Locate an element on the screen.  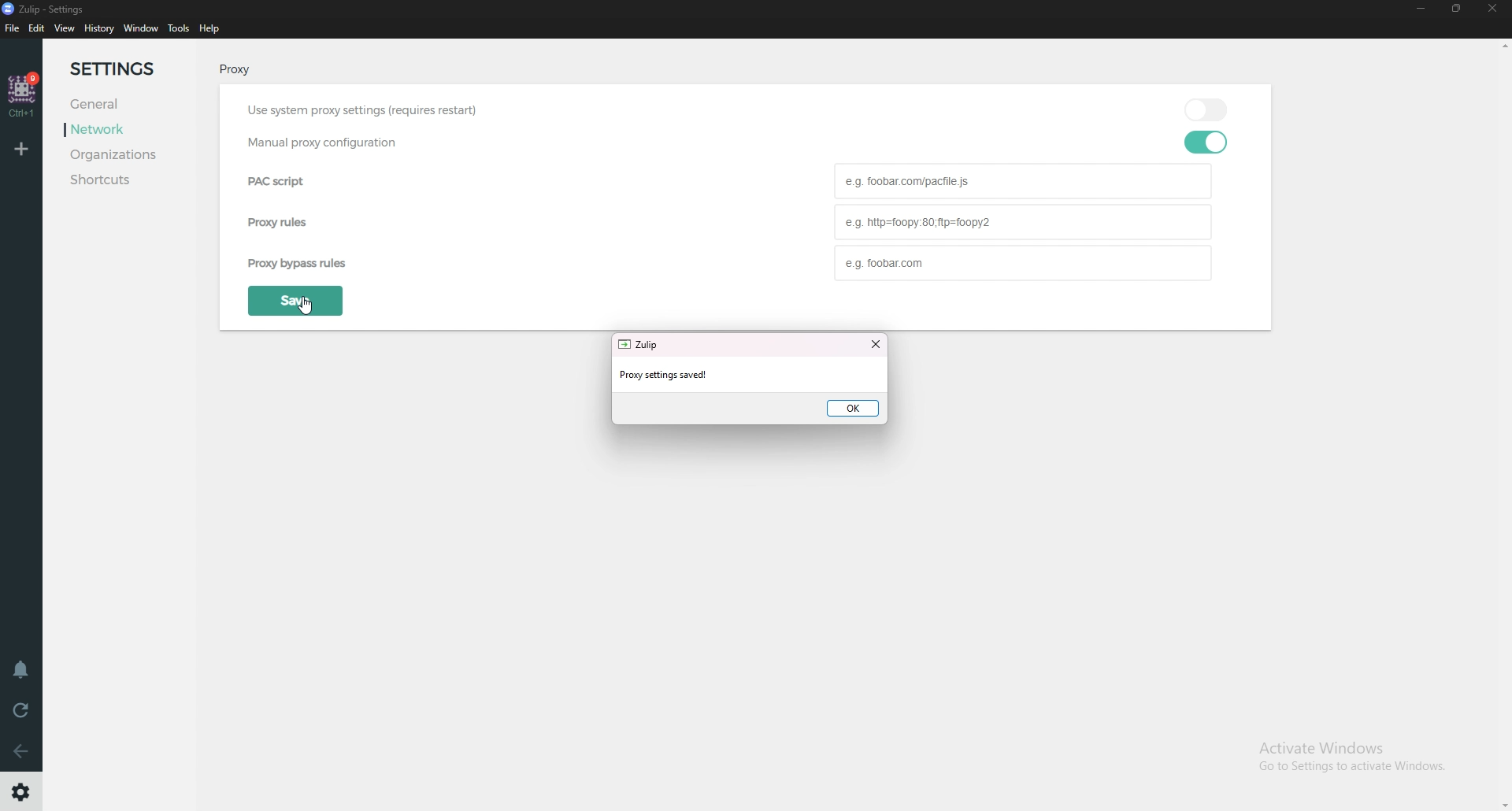
zulip is located at coordinates (49, 9).